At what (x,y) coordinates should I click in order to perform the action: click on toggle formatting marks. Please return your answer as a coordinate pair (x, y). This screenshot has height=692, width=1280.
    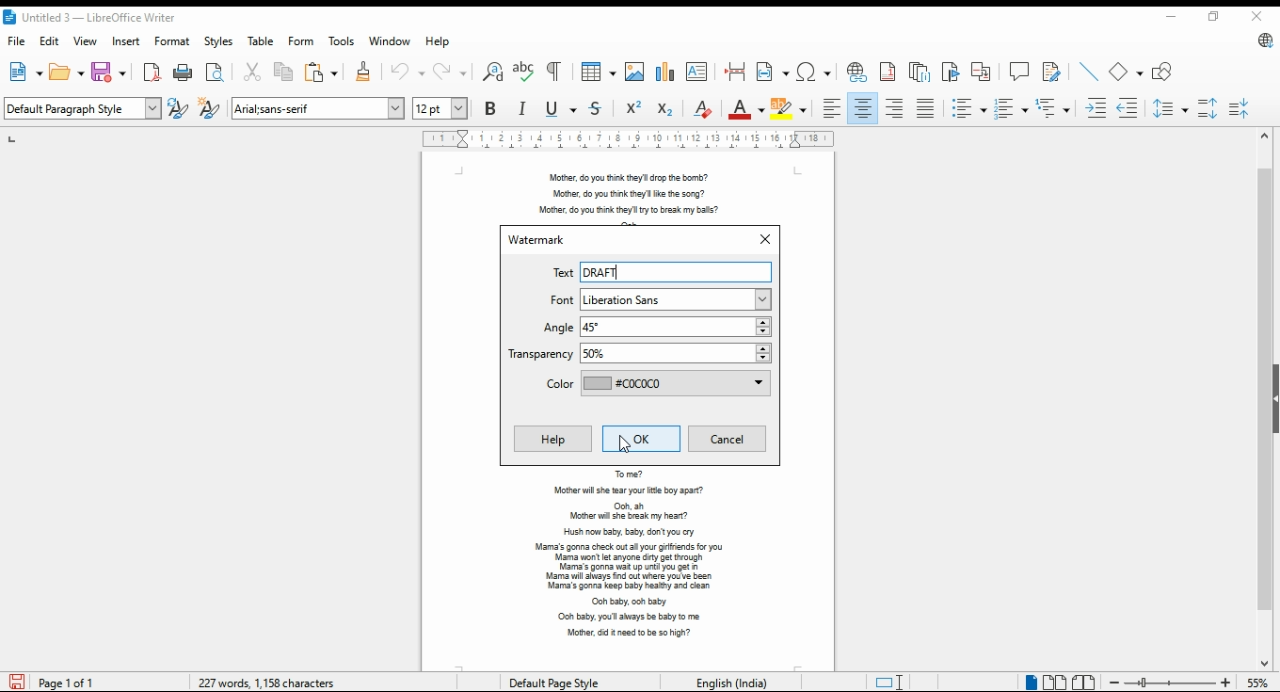
    Looking at the image, I should click on (556, 72).